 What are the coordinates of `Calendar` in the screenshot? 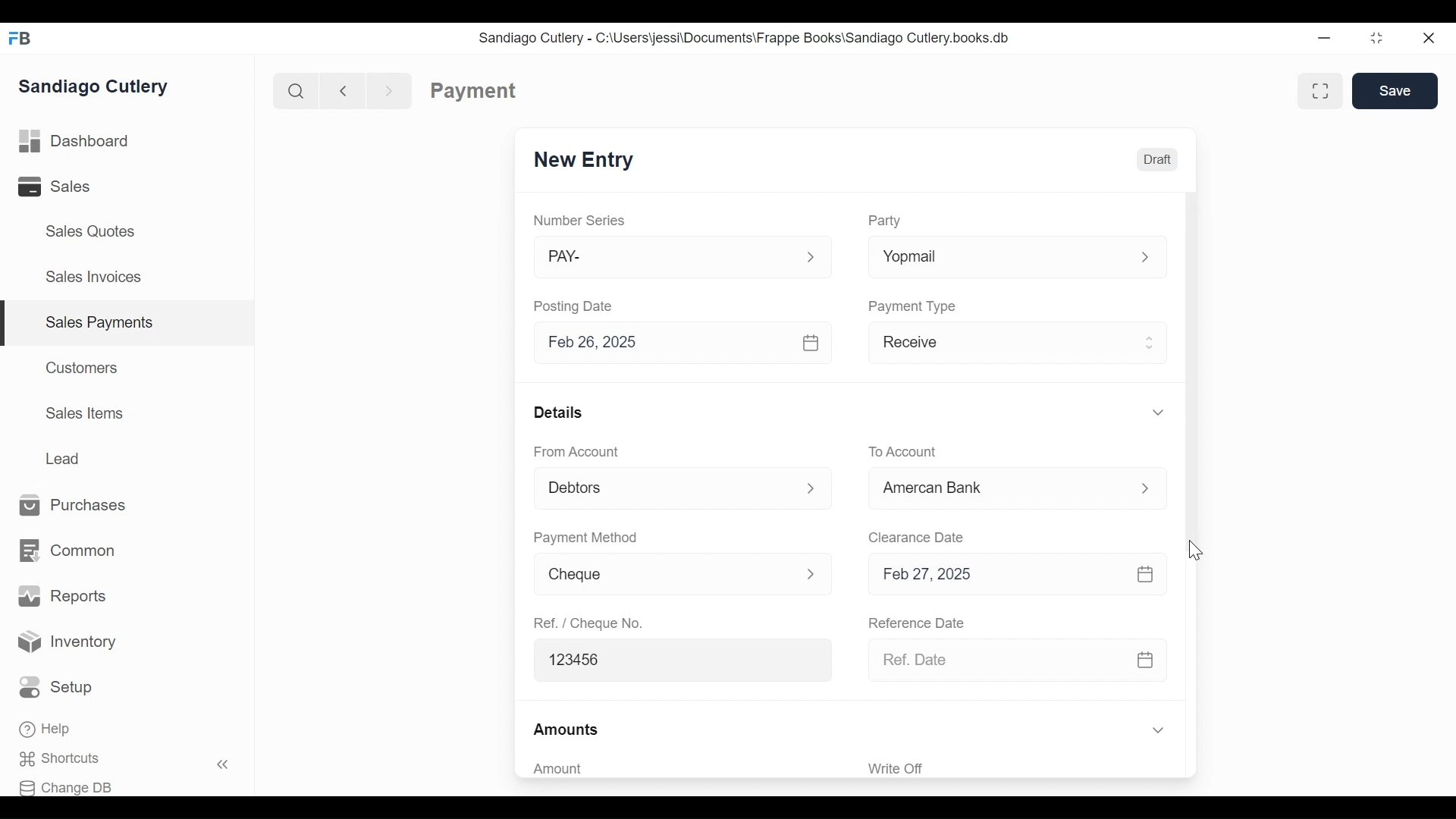 It's located at (1147, 574).